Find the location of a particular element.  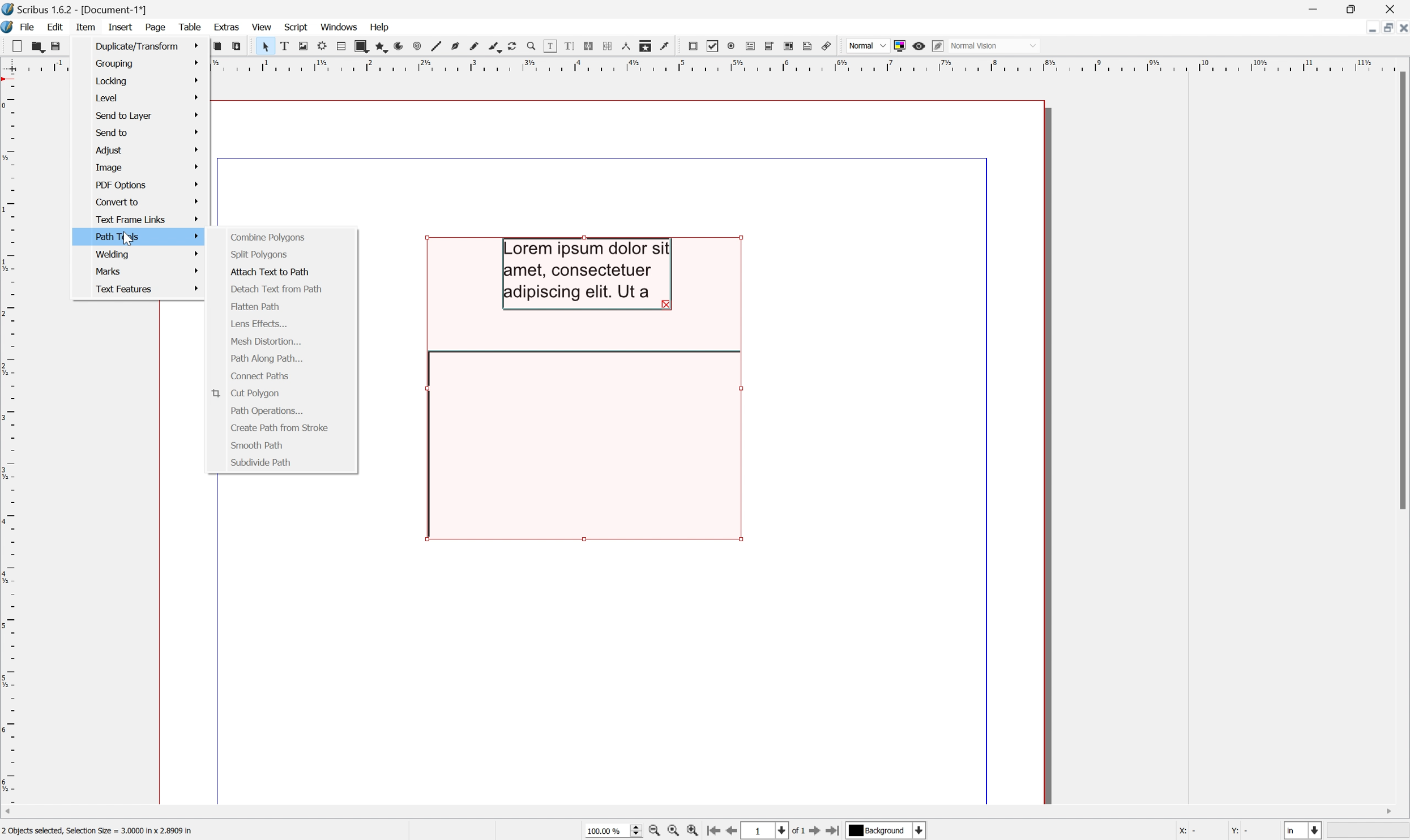

Zoom in by the stepping value in tools preferences is located at coordinates (698, 831).